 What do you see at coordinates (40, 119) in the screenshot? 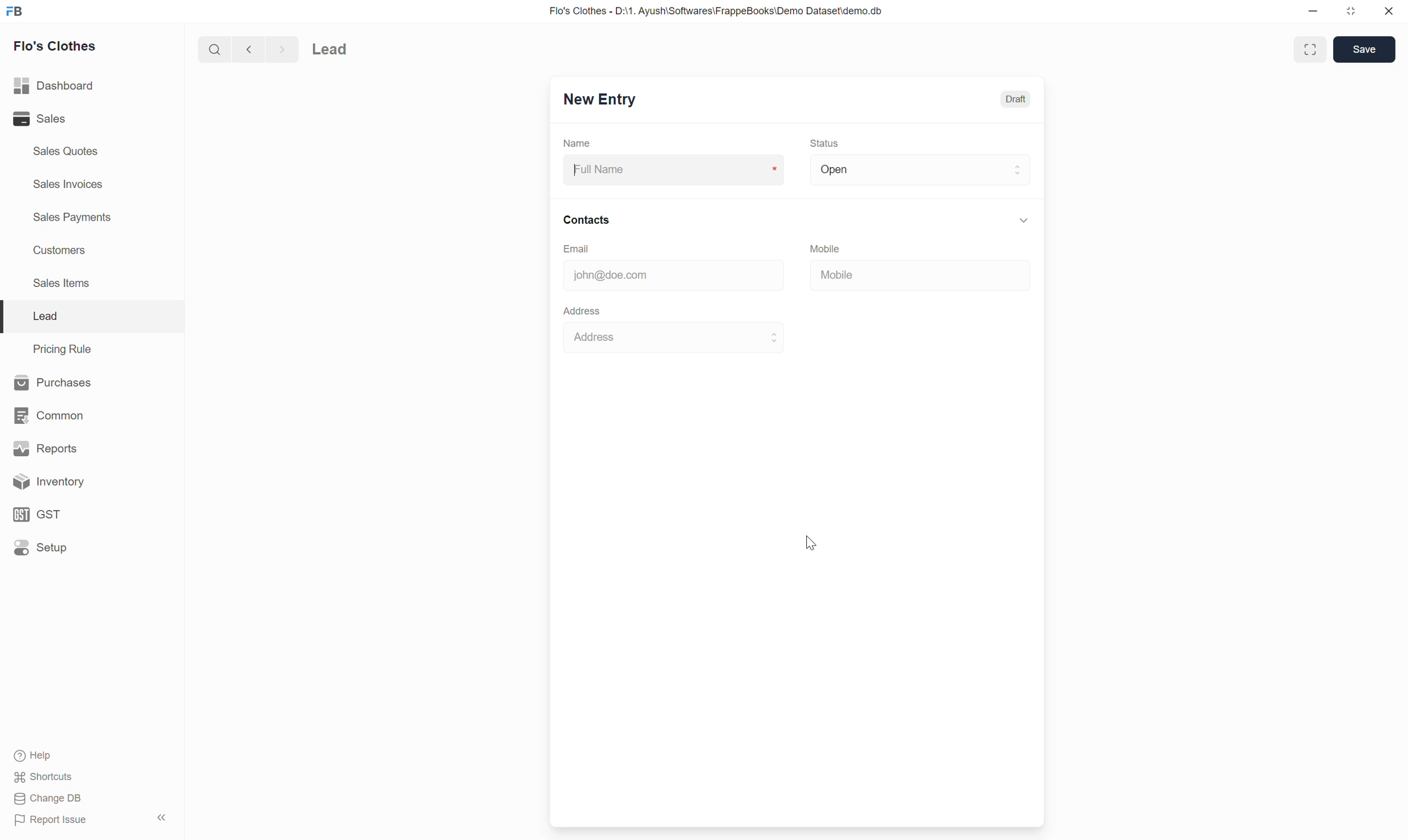
I see `Sales` at bounding box center [40, 119].